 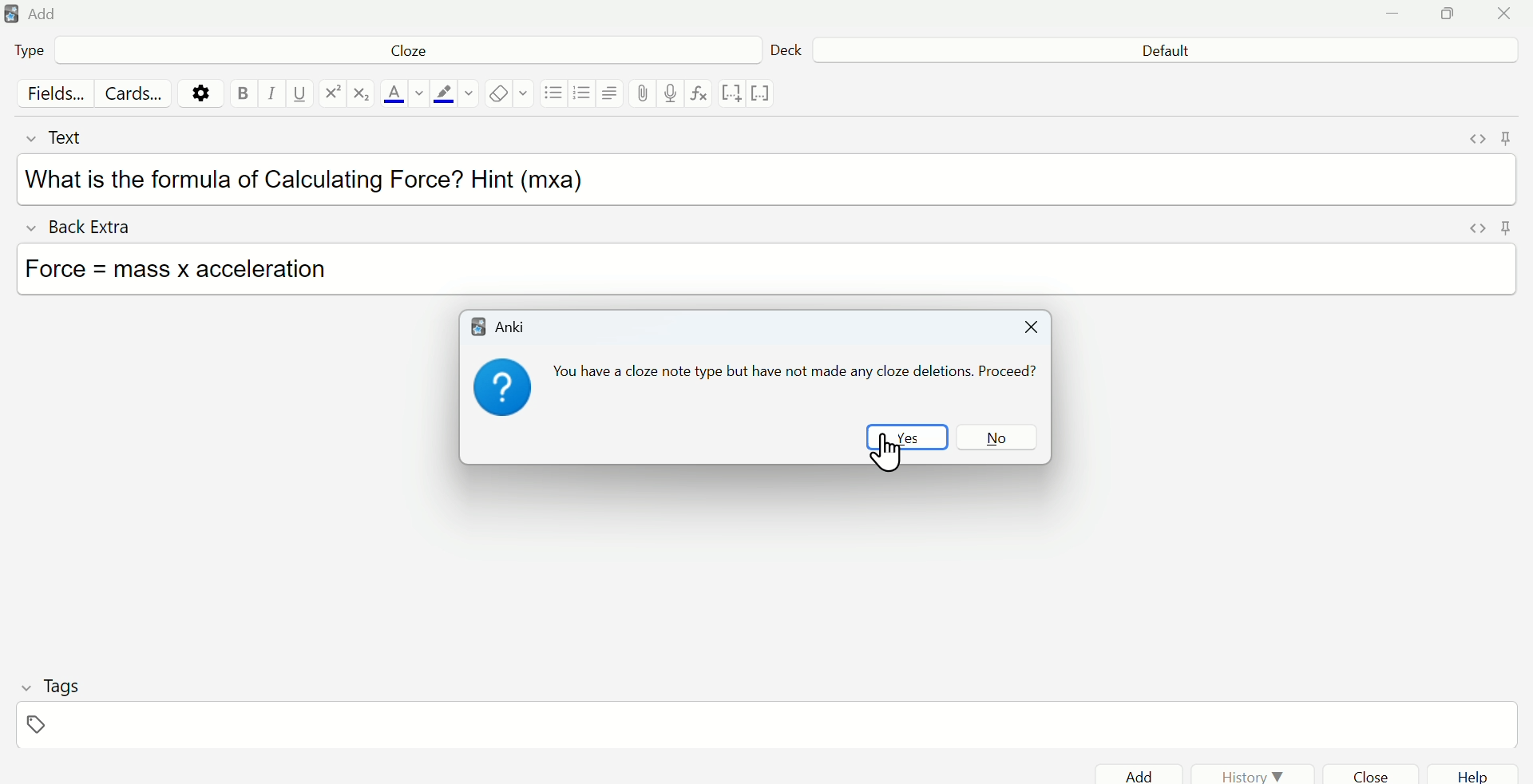 I want to click on Minimize, so click(x=1401, y=17).